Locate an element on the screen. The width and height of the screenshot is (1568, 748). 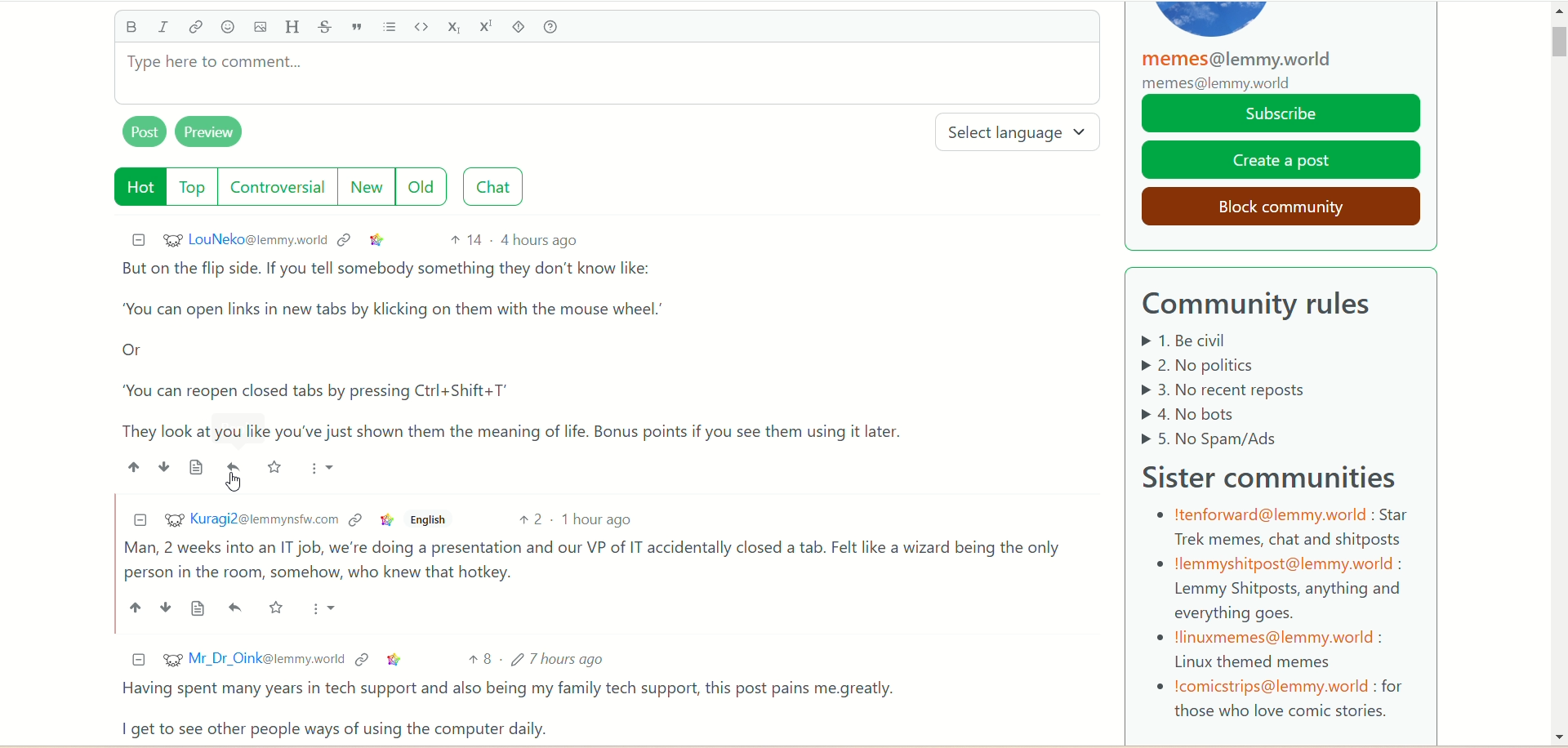
sister community is located at coordinates (1278, 474).